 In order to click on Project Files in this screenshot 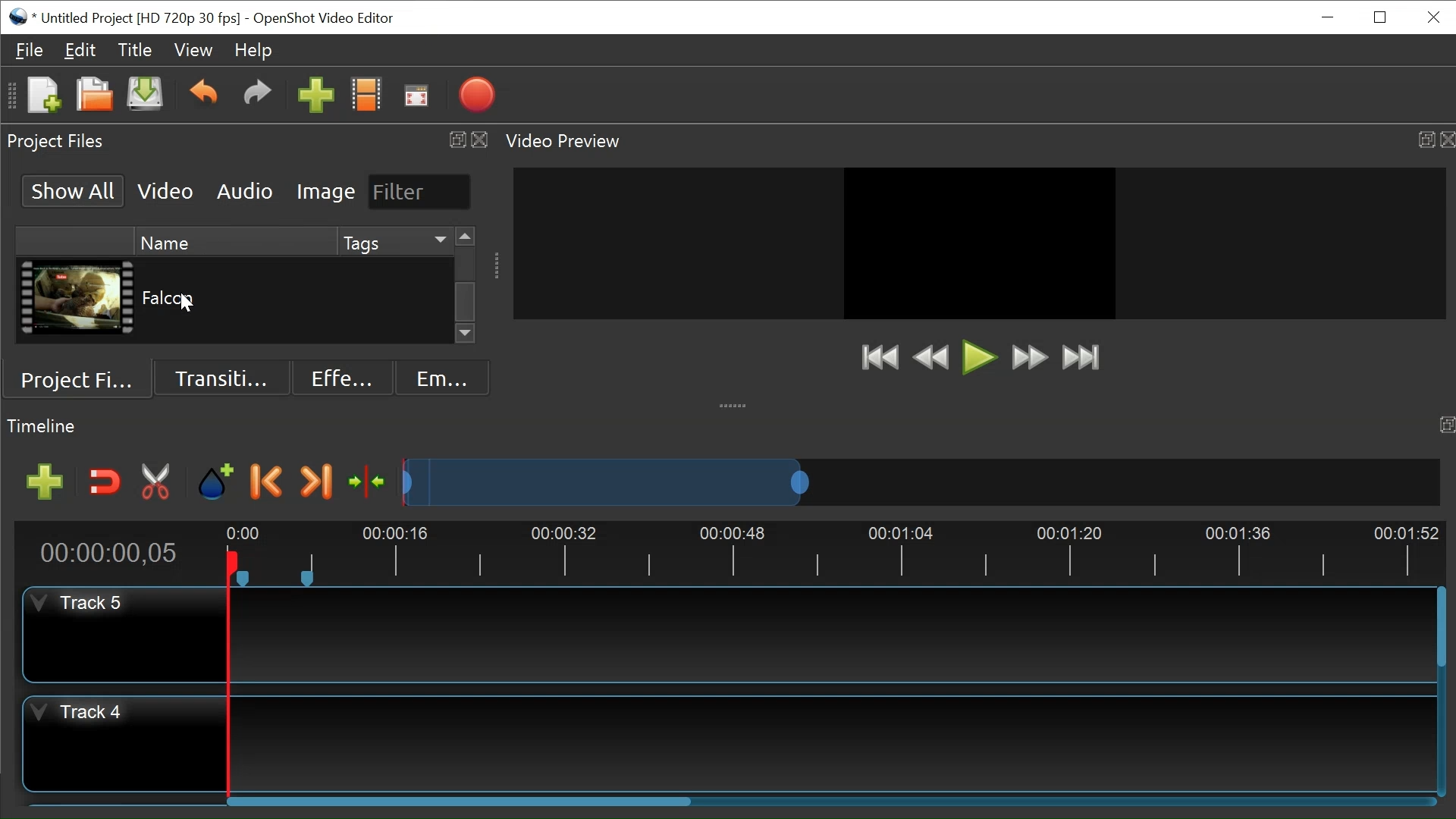, I will do `click(83, 377)`.